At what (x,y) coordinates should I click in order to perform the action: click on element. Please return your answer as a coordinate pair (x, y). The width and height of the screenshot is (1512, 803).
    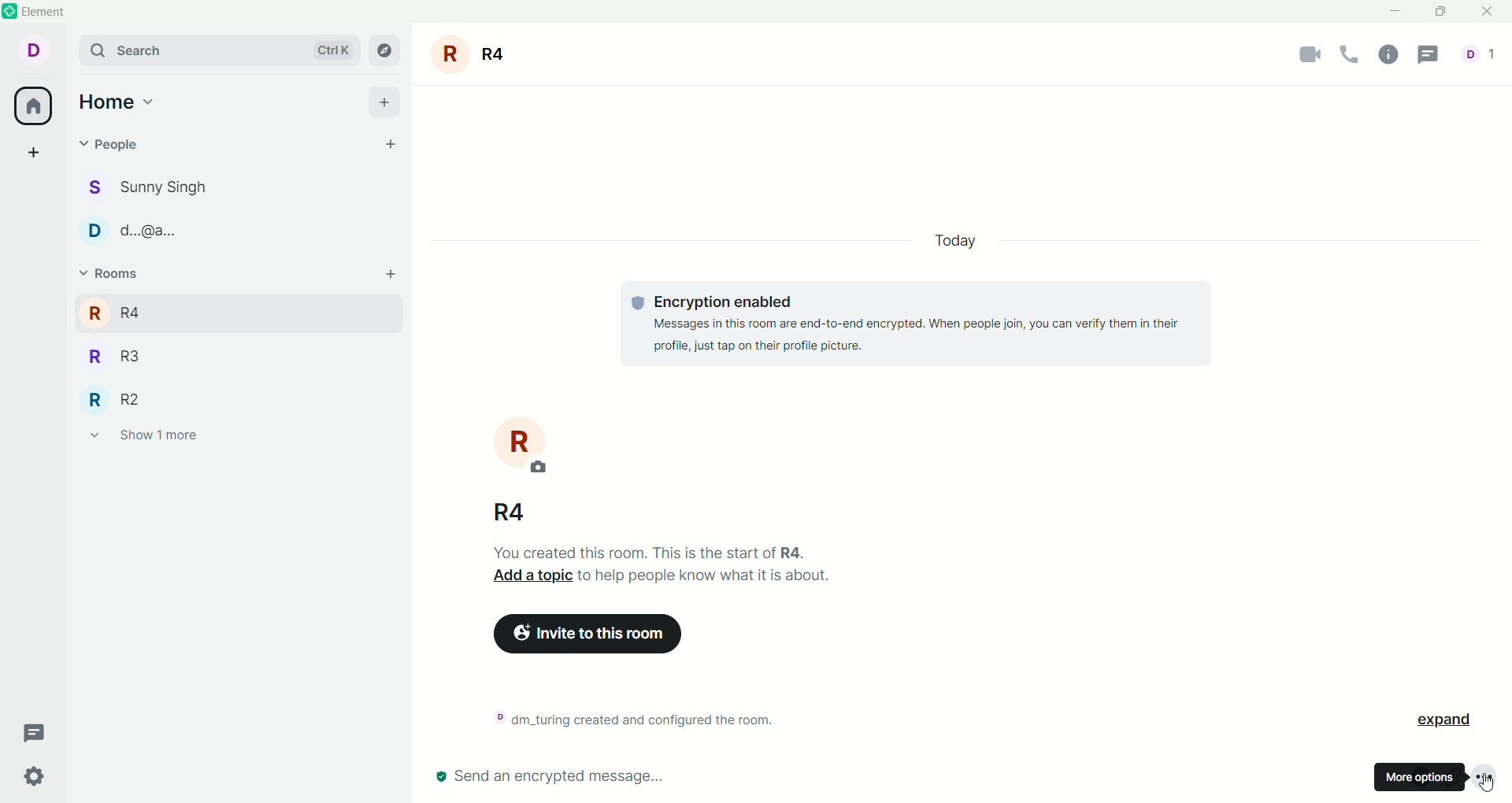
    Looking at the image, I should click on (54, 12).